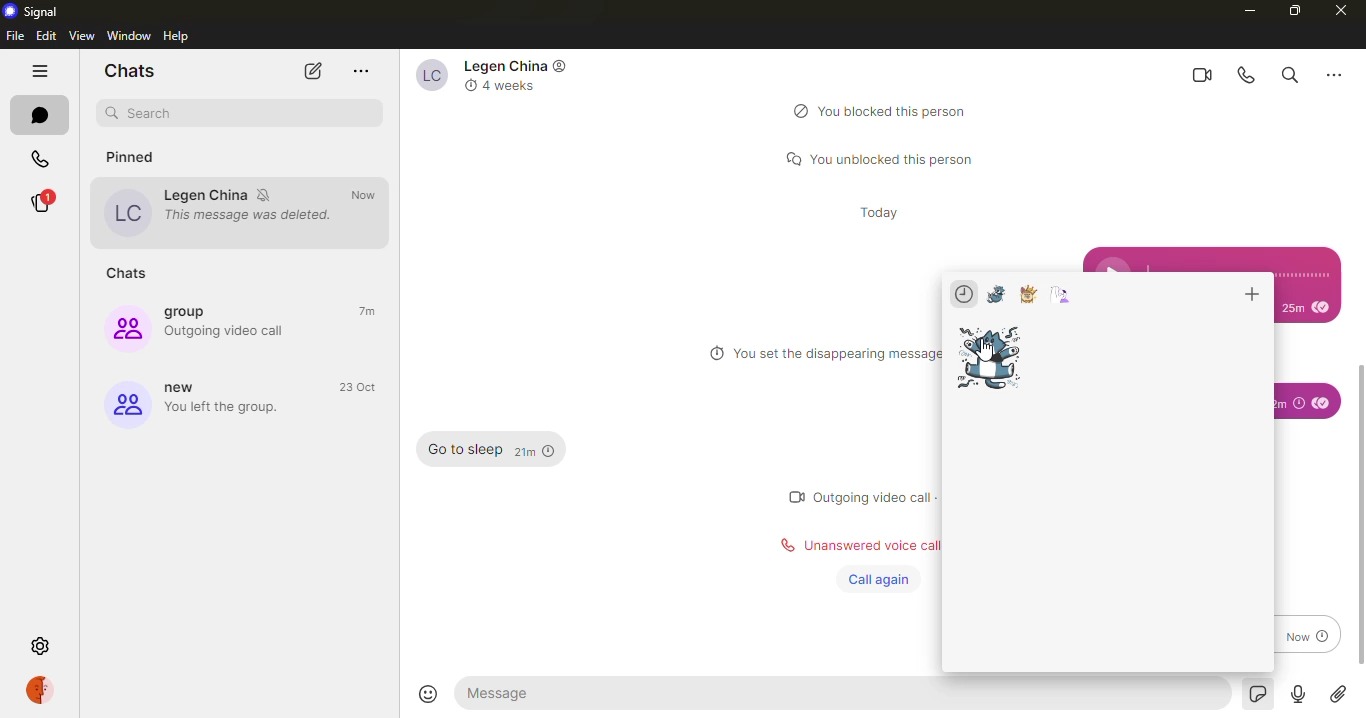 This screenshot has height=718, width=1366. I want to click on sticker type, so click(1062, 295).